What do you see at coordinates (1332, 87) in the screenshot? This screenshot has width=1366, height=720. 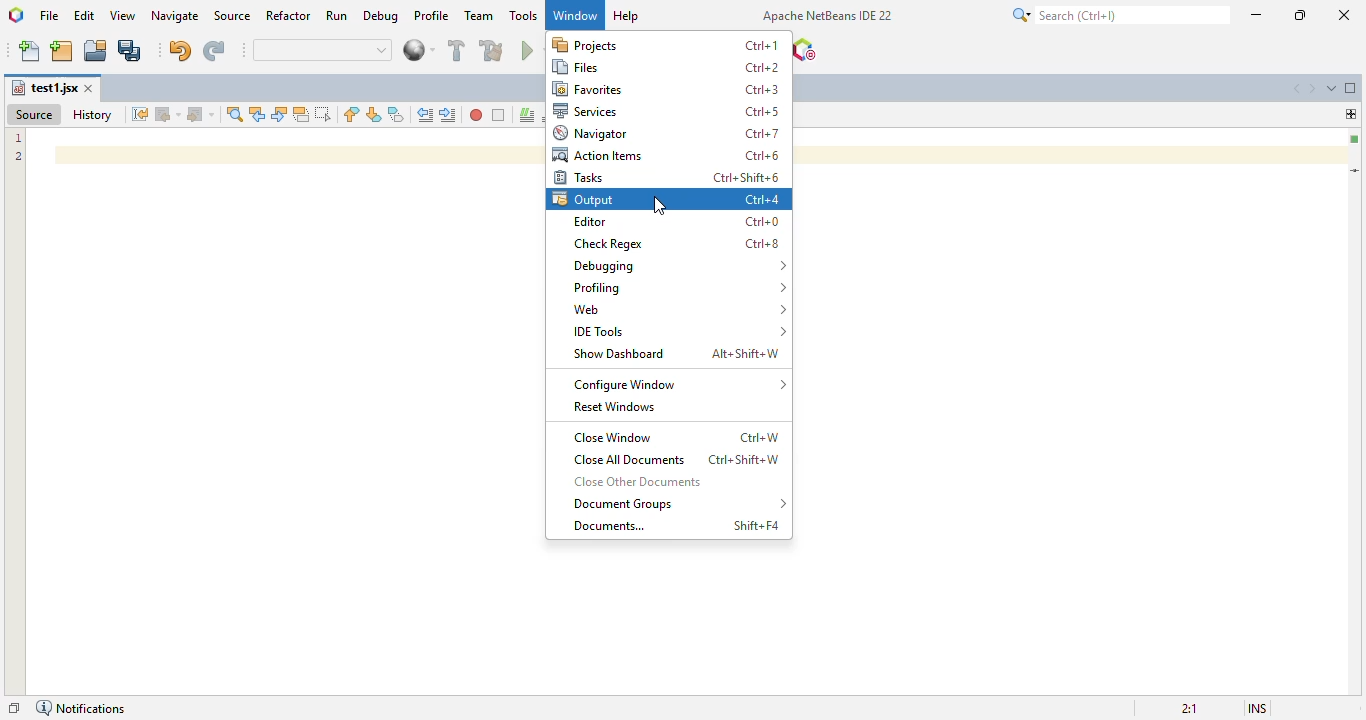 I see `show opened documents list` at bounding box center [1332, 87].